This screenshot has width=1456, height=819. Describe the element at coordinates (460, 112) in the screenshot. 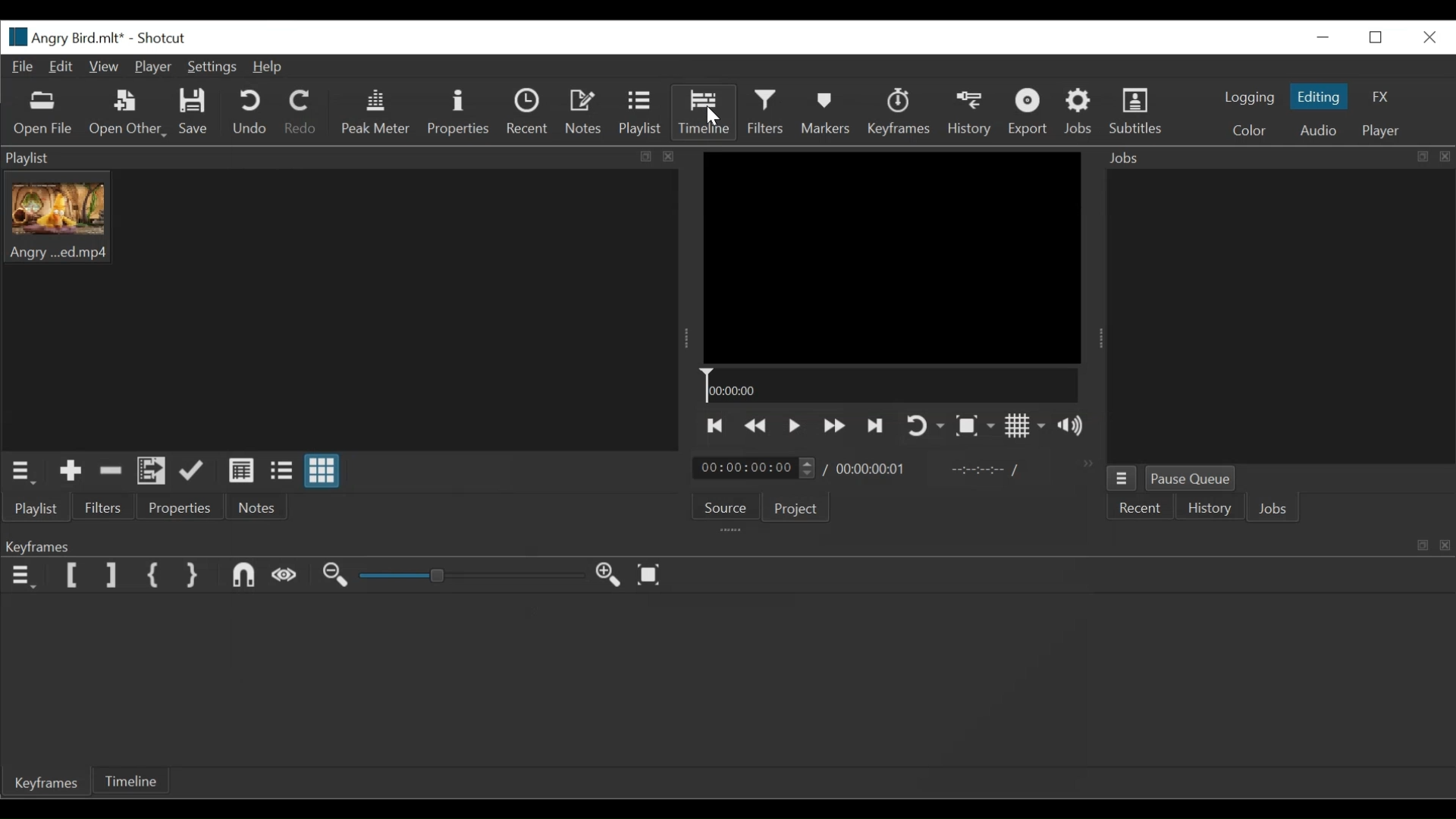

I see `Properties` at that location.